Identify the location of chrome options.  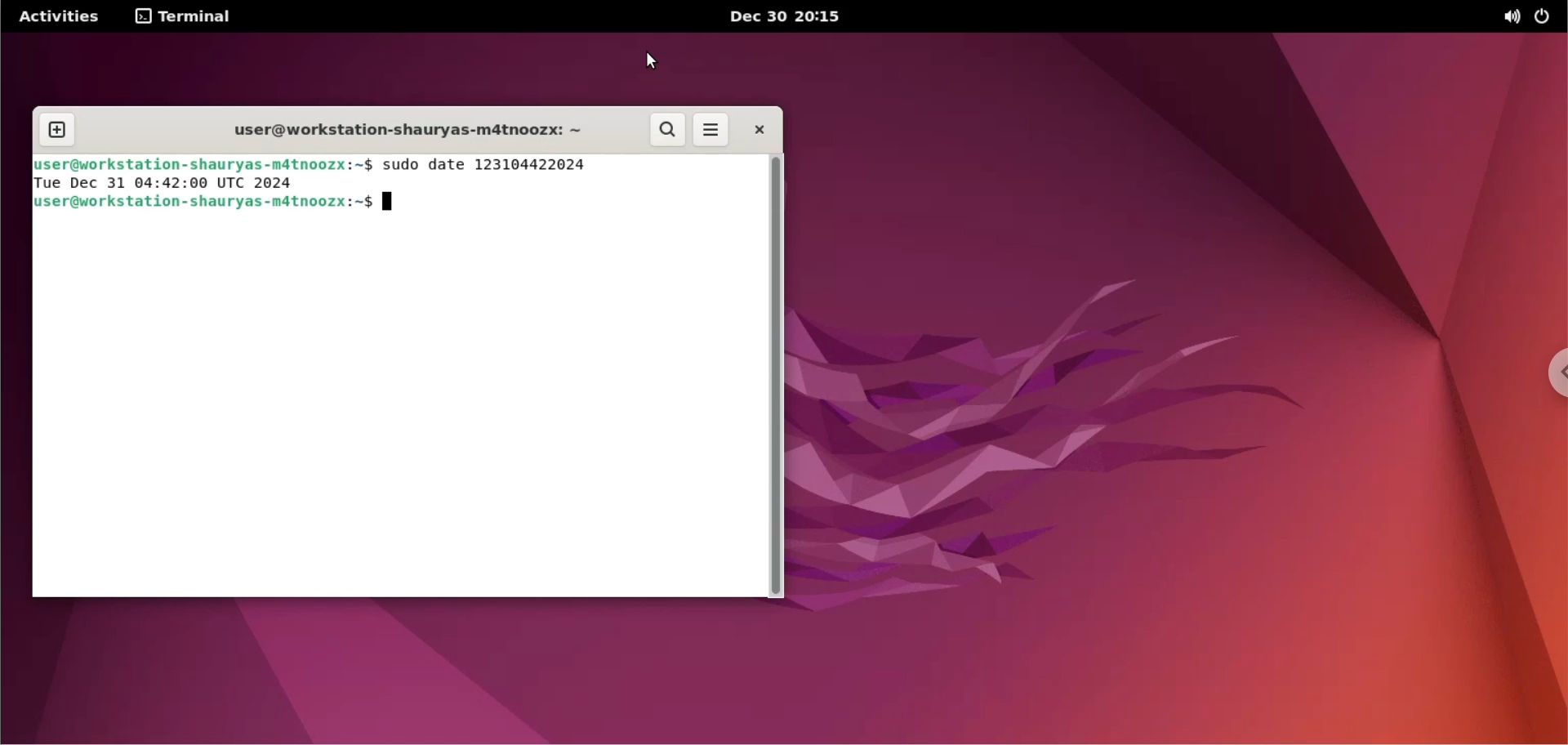
(1547, 368).